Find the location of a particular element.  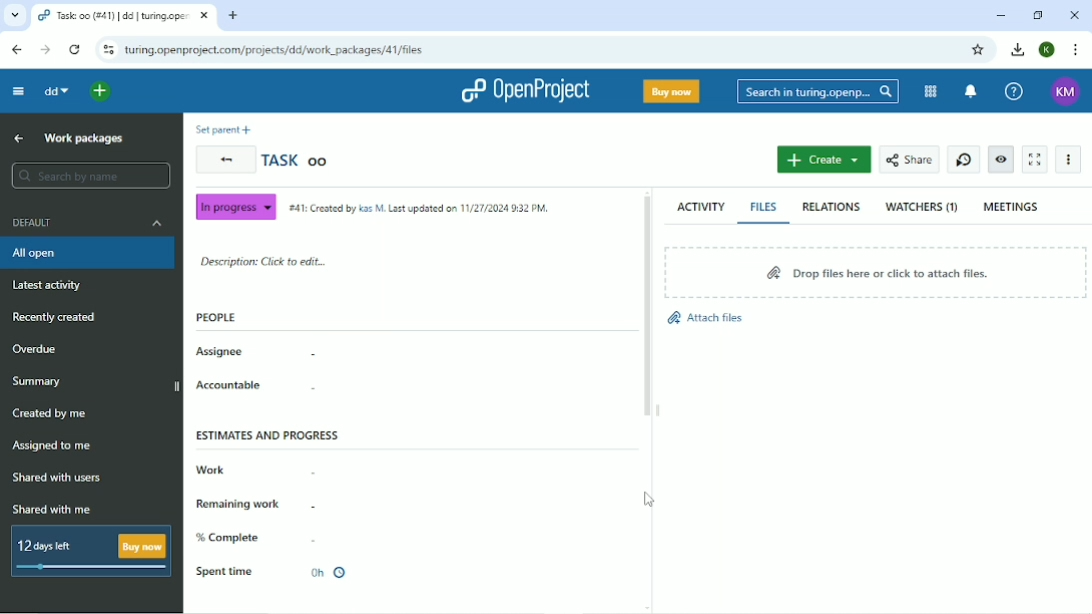

Latest activity is located at coordinates (51, 284).